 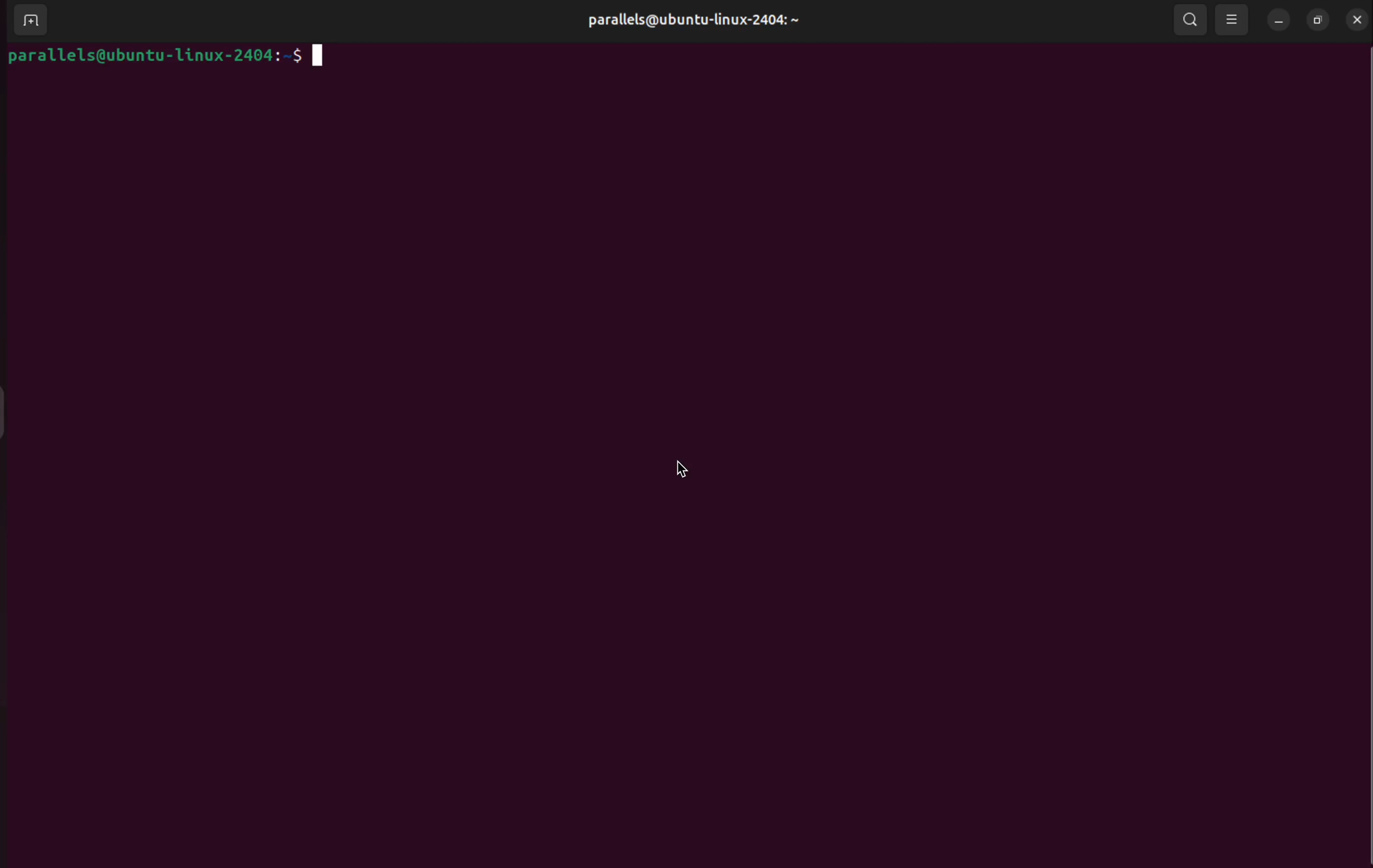 What do you see at coordinates (1317, 19) in the screenshot?
I see `resize` at bounding box center [1317, 19].